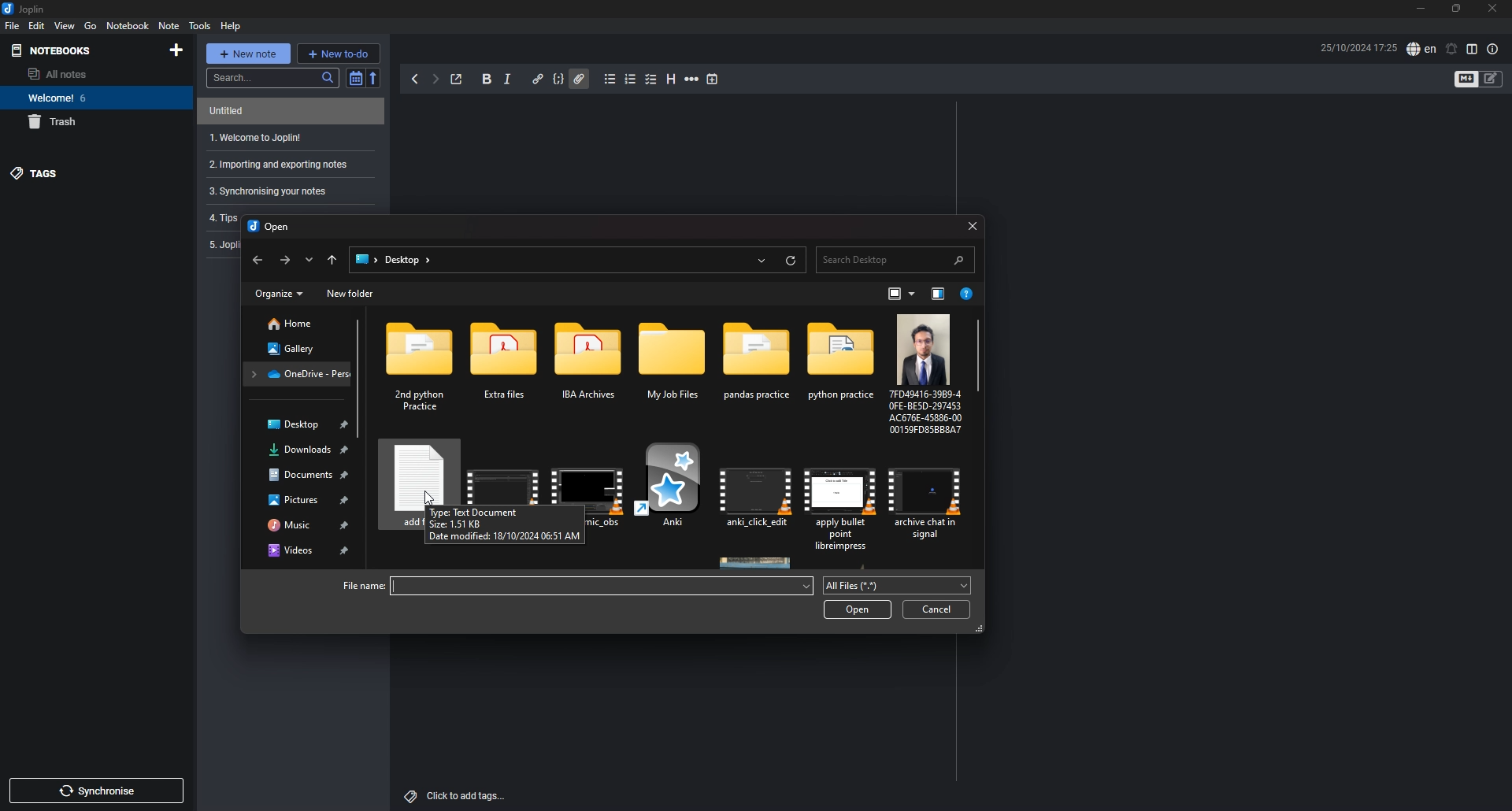  What do you see at coordinates (1466, 79) in the screenshot?
I see `toggle editors` at bounding box center [1466, 79].